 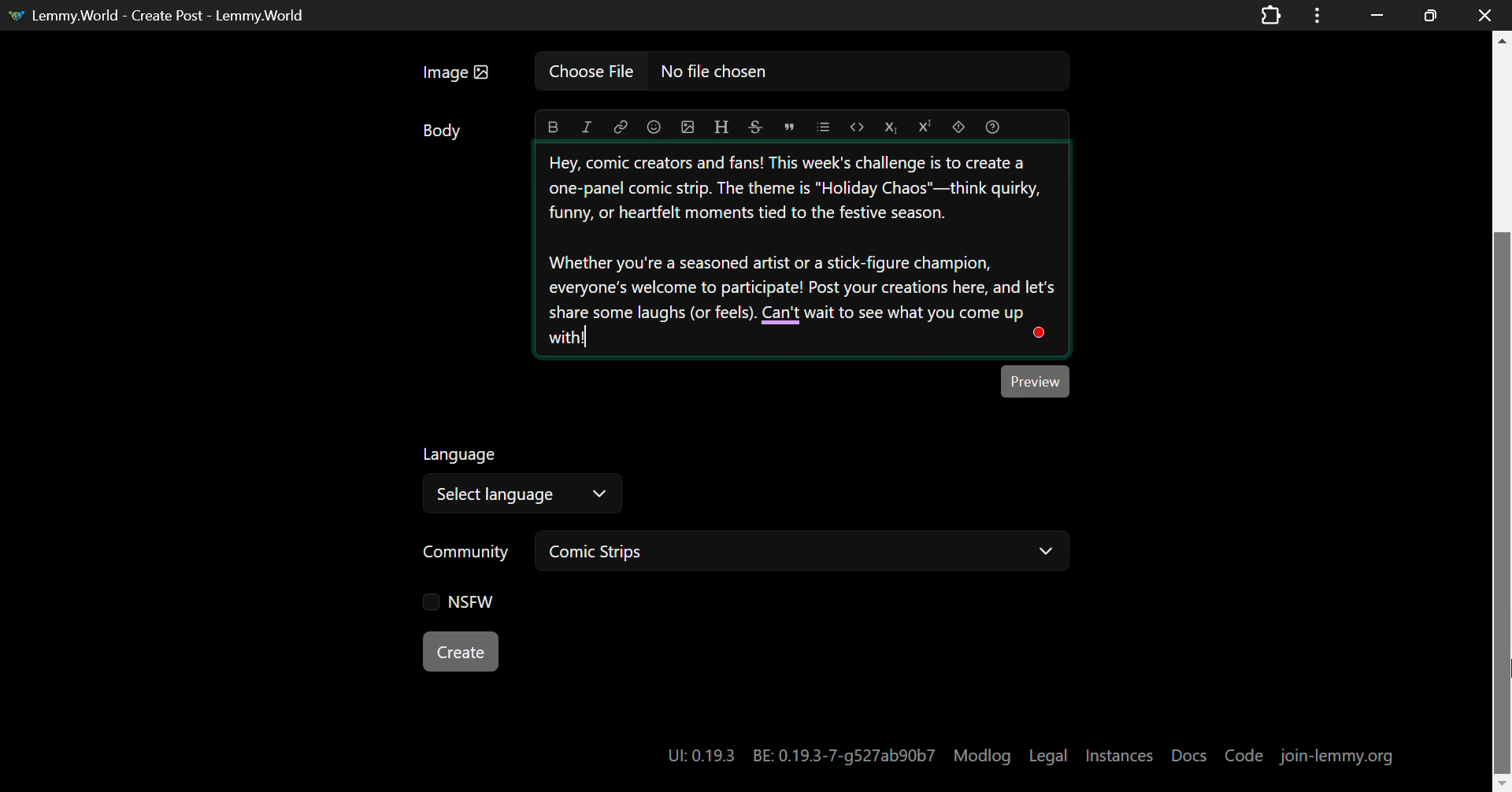 What do you see at coordinates (799, 756) in the screenshot?
I see `UI:0.19.3 BE:0.19.3-7-g527ab90b7` at bounding box center [799, 756].